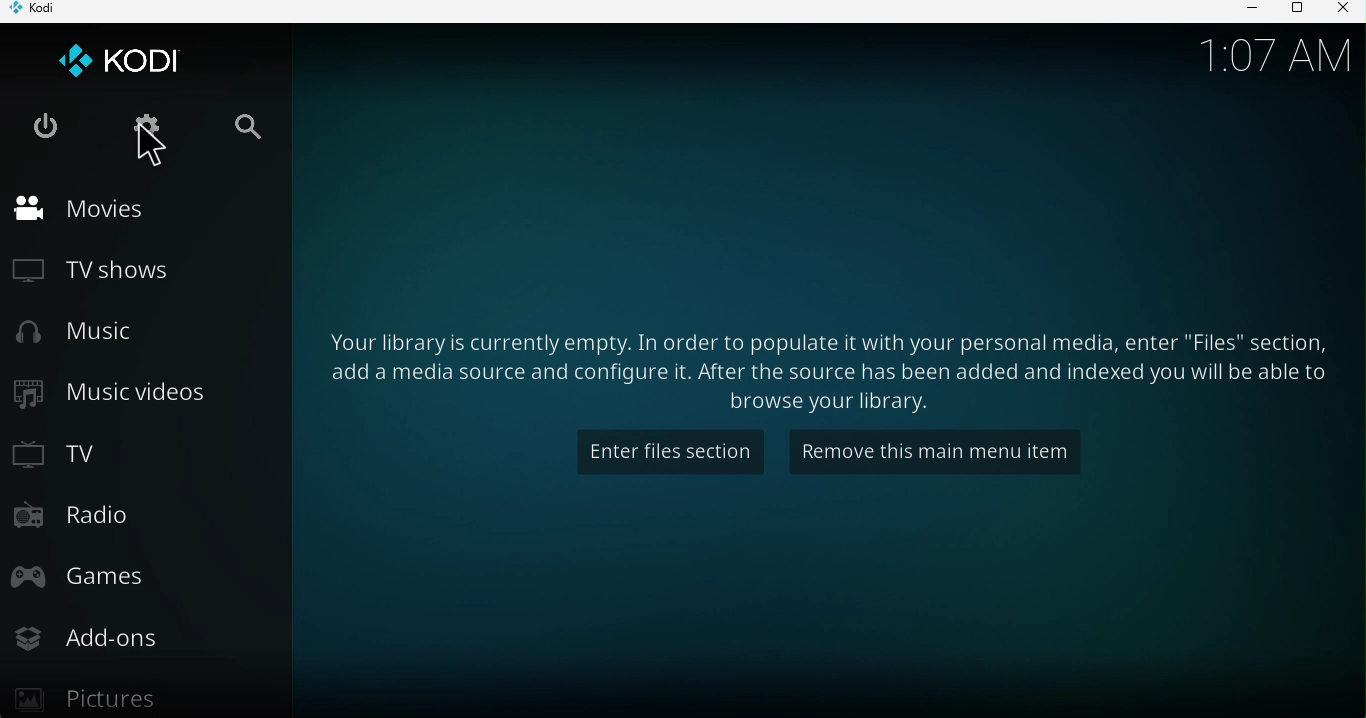 This screenshot has height=718, width=1366. What do you see at coordinates (1340, 11) in the screenshot?
I see `Close` at bounding box center [1340, 11].